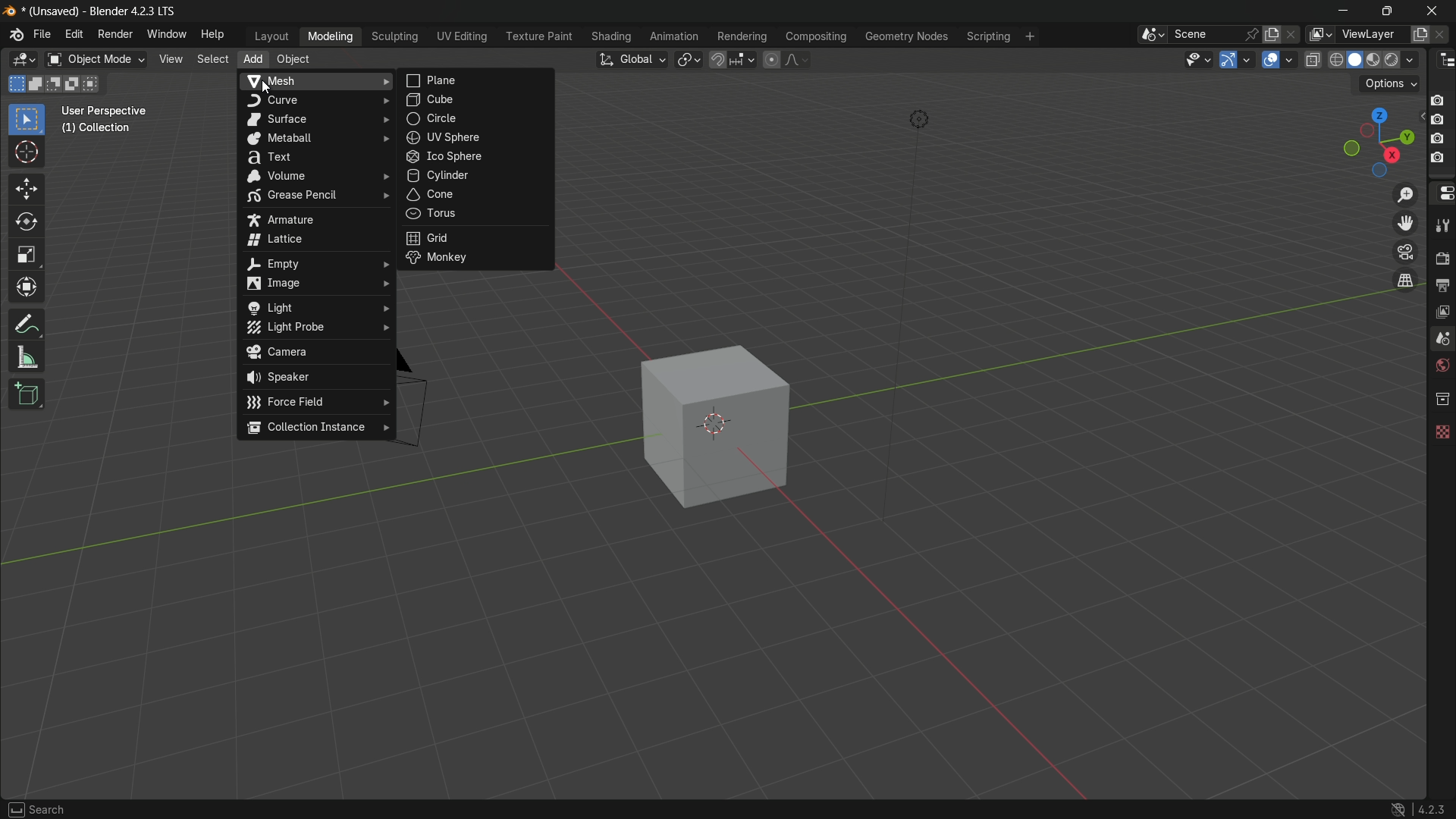  Describe the element at coordinates (1397, 810) in the screenshot. I see `logo` at that location.